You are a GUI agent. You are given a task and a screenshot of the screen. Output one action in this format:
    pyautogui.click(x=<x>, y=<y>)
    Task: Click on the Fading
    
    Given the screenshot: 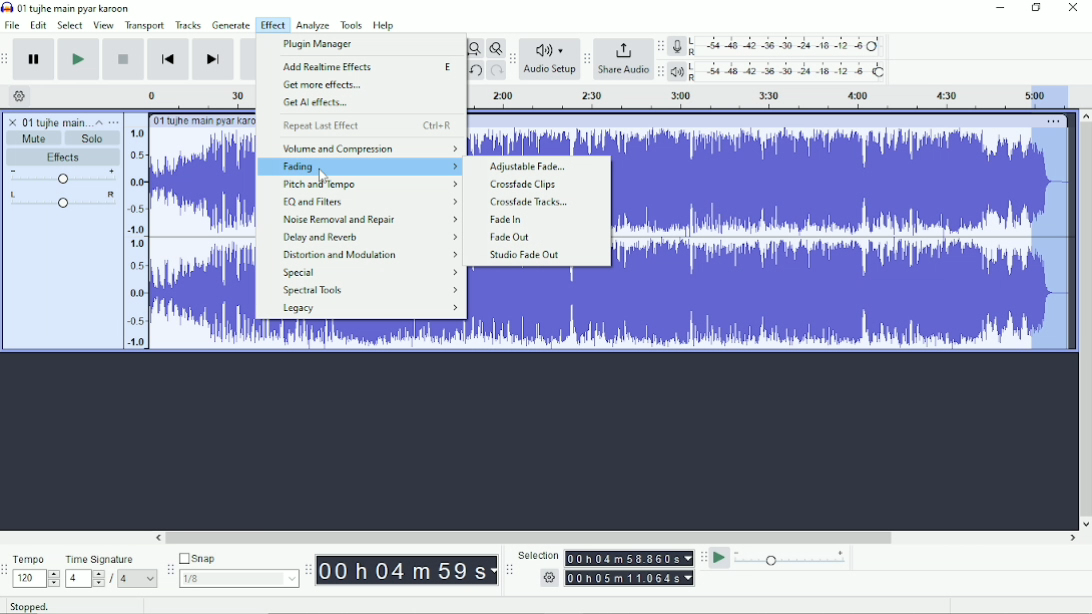 What is the action you would take?
    pyautogui.click(x=367, y=167)
    